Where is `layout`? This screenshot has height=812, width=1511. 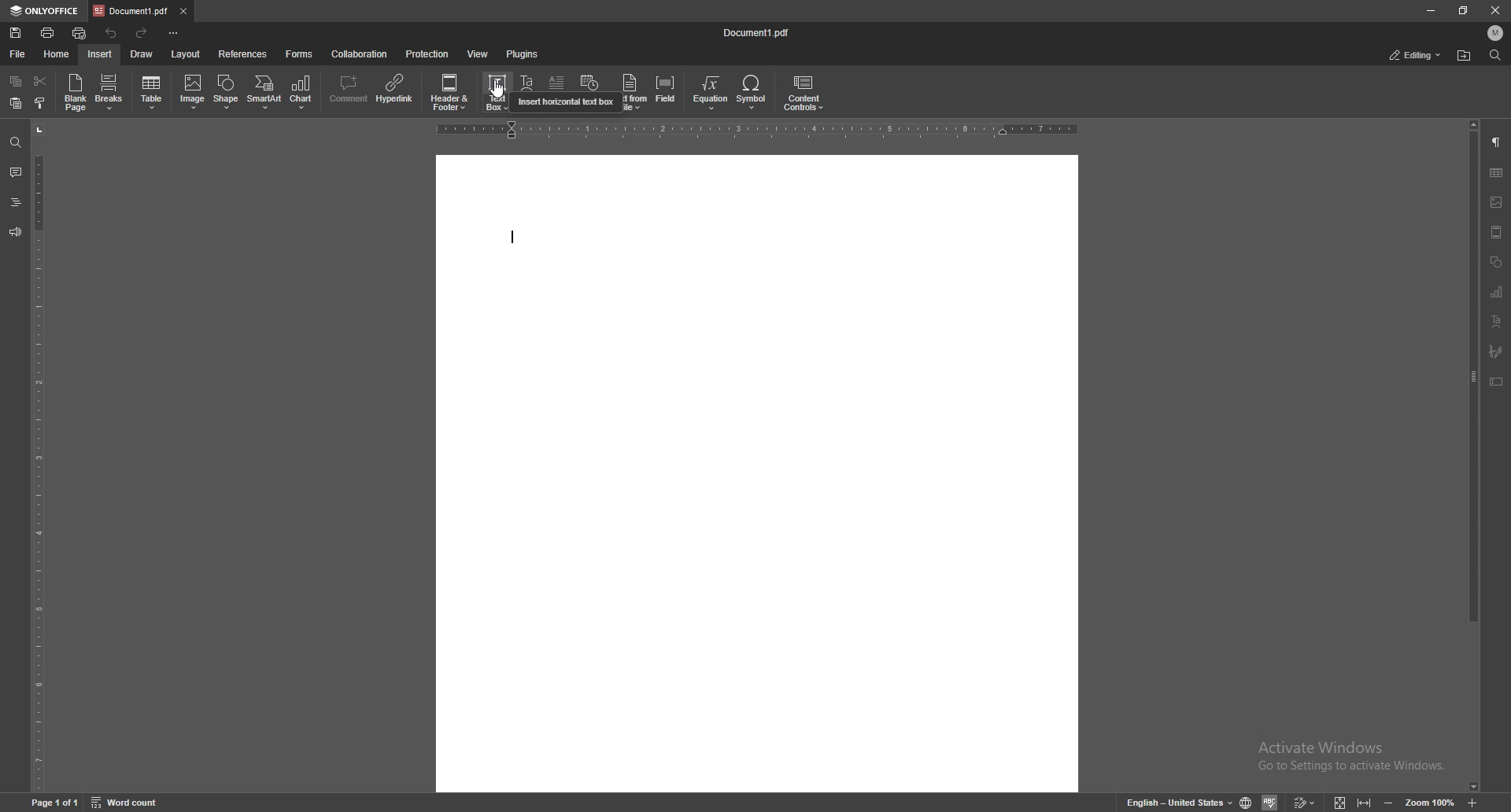 layout is located at coordinates (187, 55).